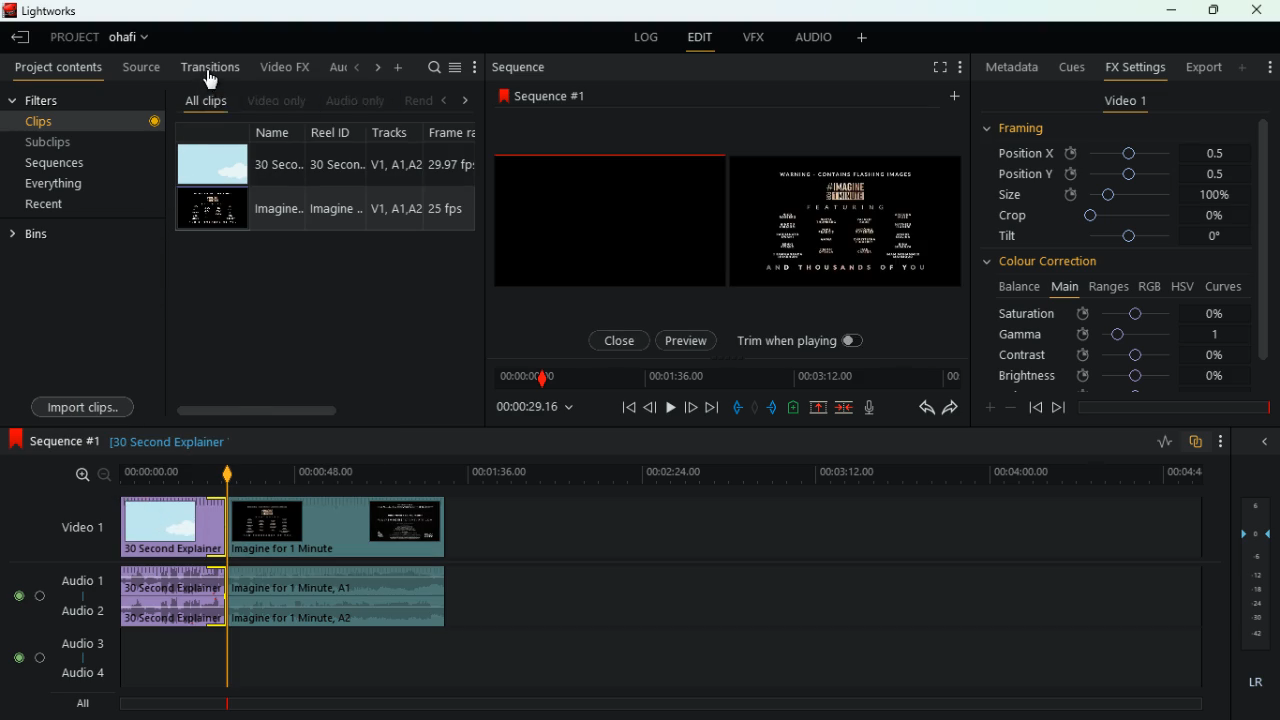 Image resolution: width=1280 pixels, height=720 pixels. I want to click on lr, so click(1254, 683).